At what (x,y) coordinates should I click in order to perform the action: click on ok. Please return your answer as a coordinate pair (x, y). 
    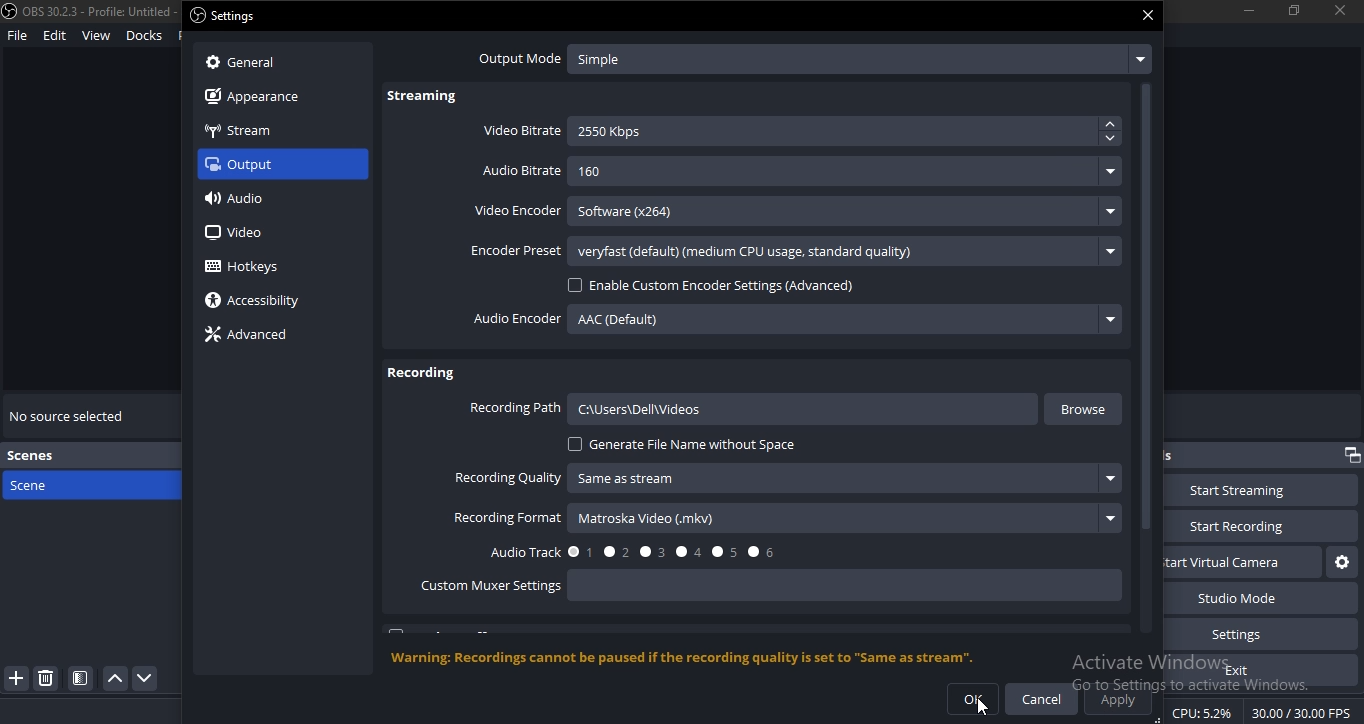
    Looking at the image, I should click on (973, 699).